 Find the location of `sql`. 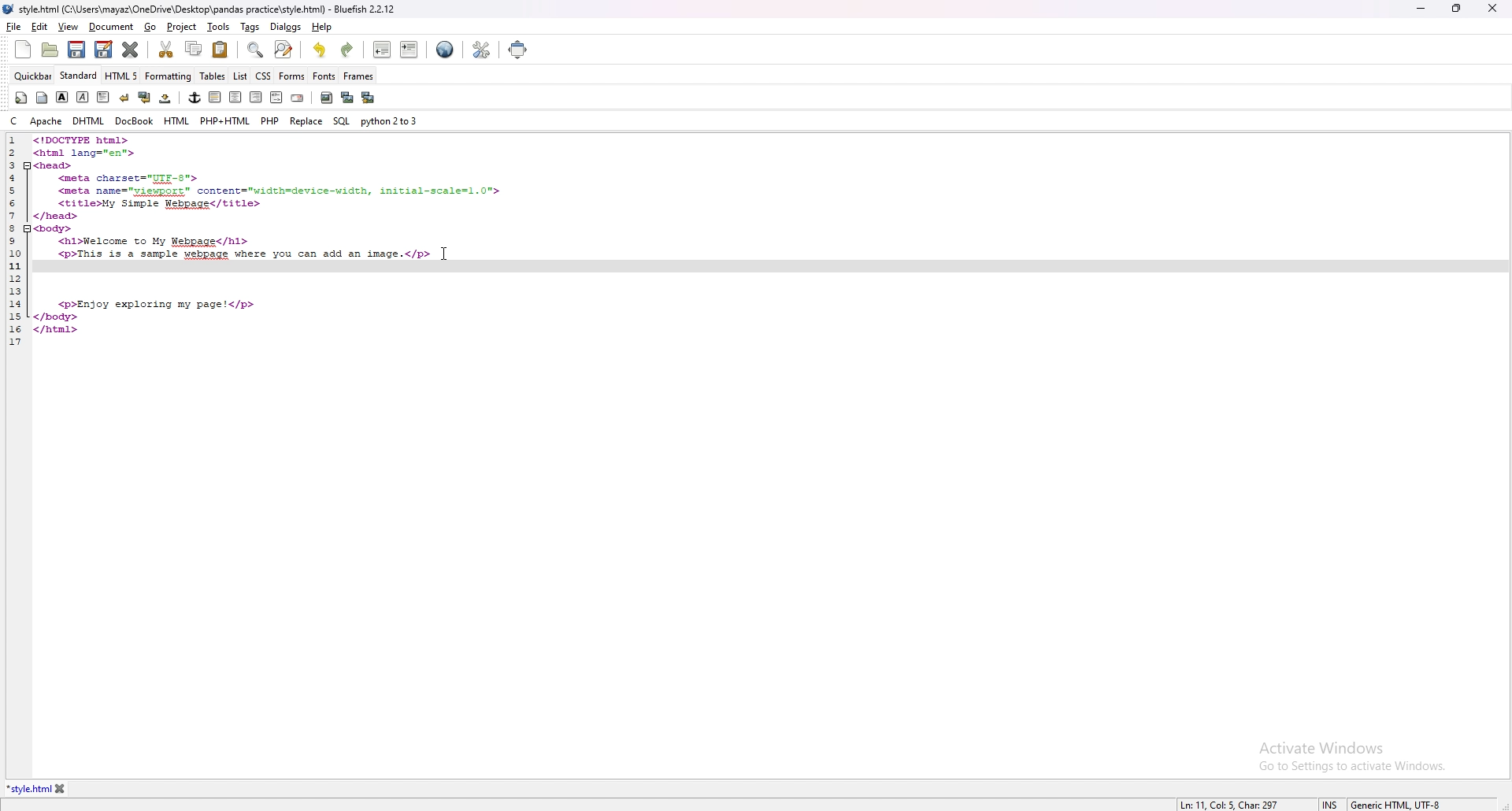

sql is located at coordinates (343, 121).